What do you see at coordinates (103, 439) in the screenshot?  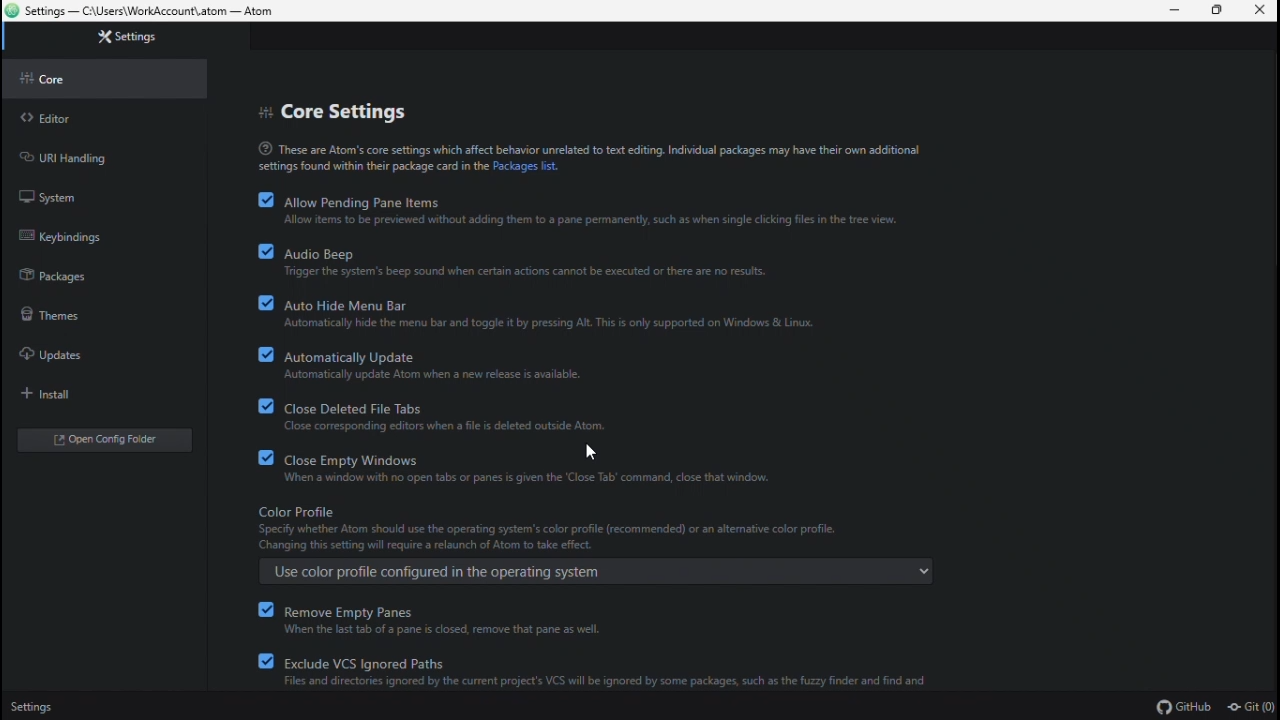 I see `open config editor` at bounding box center [103, 439].